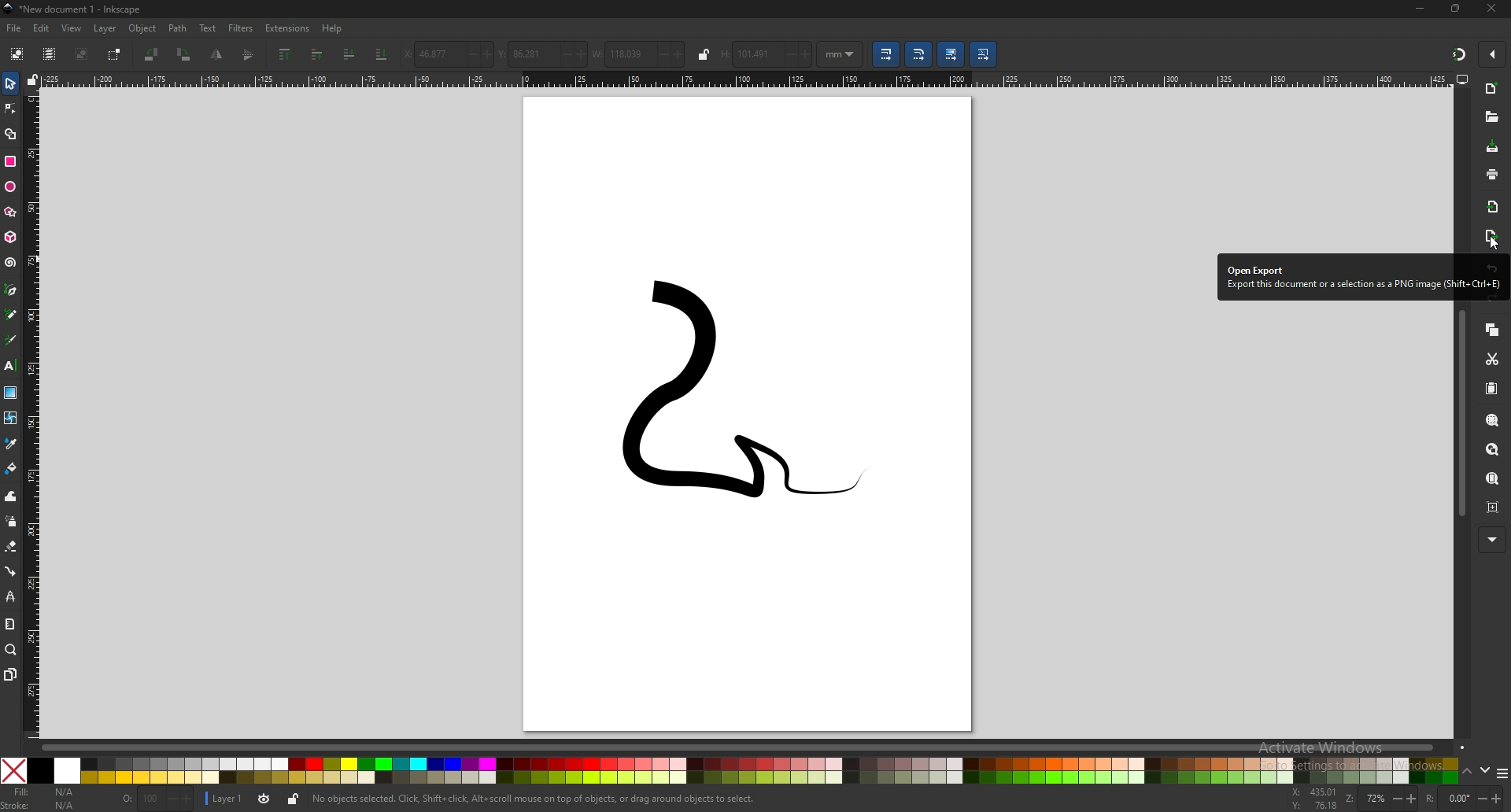 The height and width of the screenshot is (812, 1511). Describe the element at coordinates (42, 28) in the screenshot. I see `edit` at that location.